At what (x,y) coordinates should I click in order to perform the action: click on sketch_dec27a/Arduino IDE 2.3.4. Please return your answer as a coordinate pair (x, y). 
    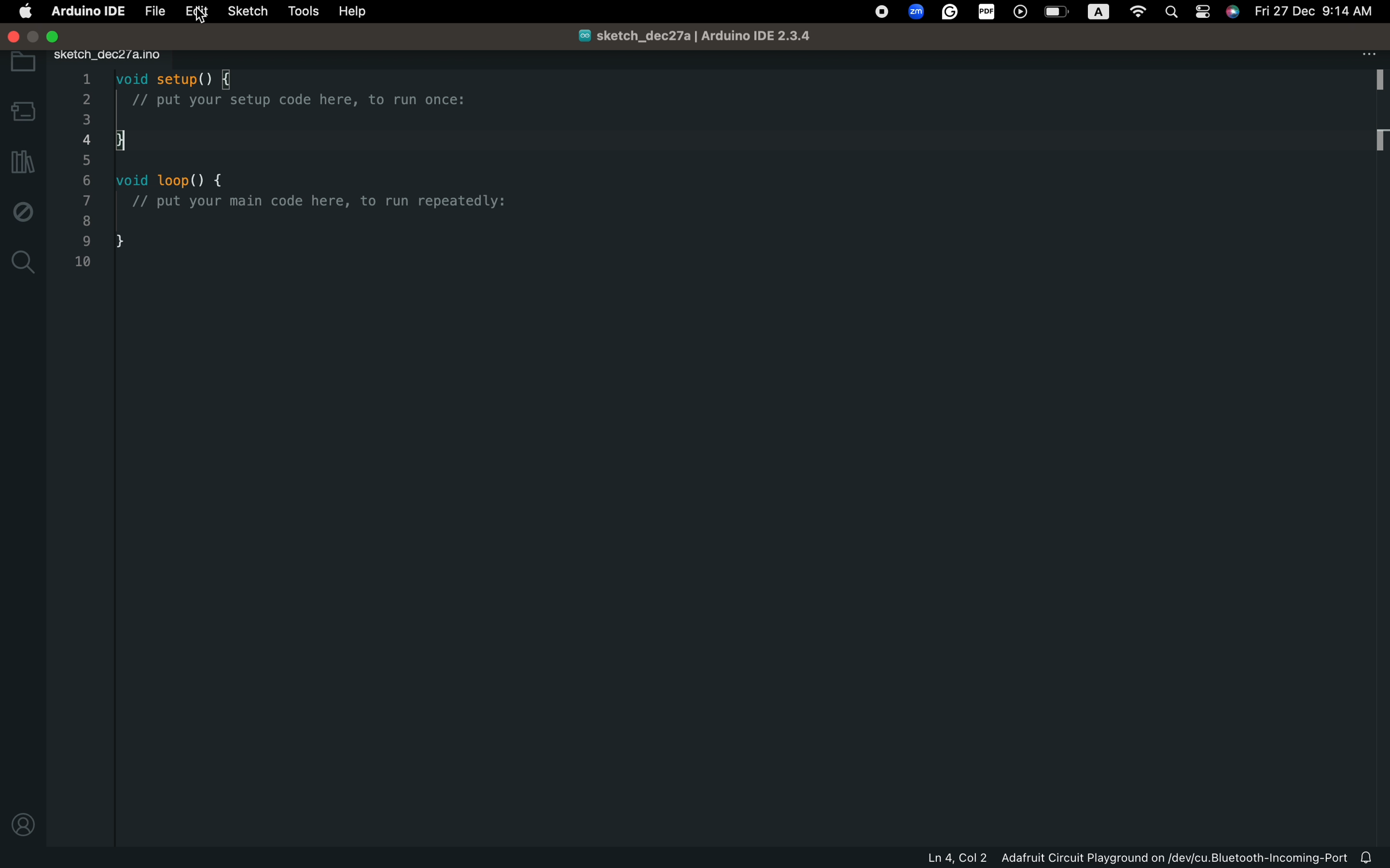
    Looking at the image, I should click on (711, 37).